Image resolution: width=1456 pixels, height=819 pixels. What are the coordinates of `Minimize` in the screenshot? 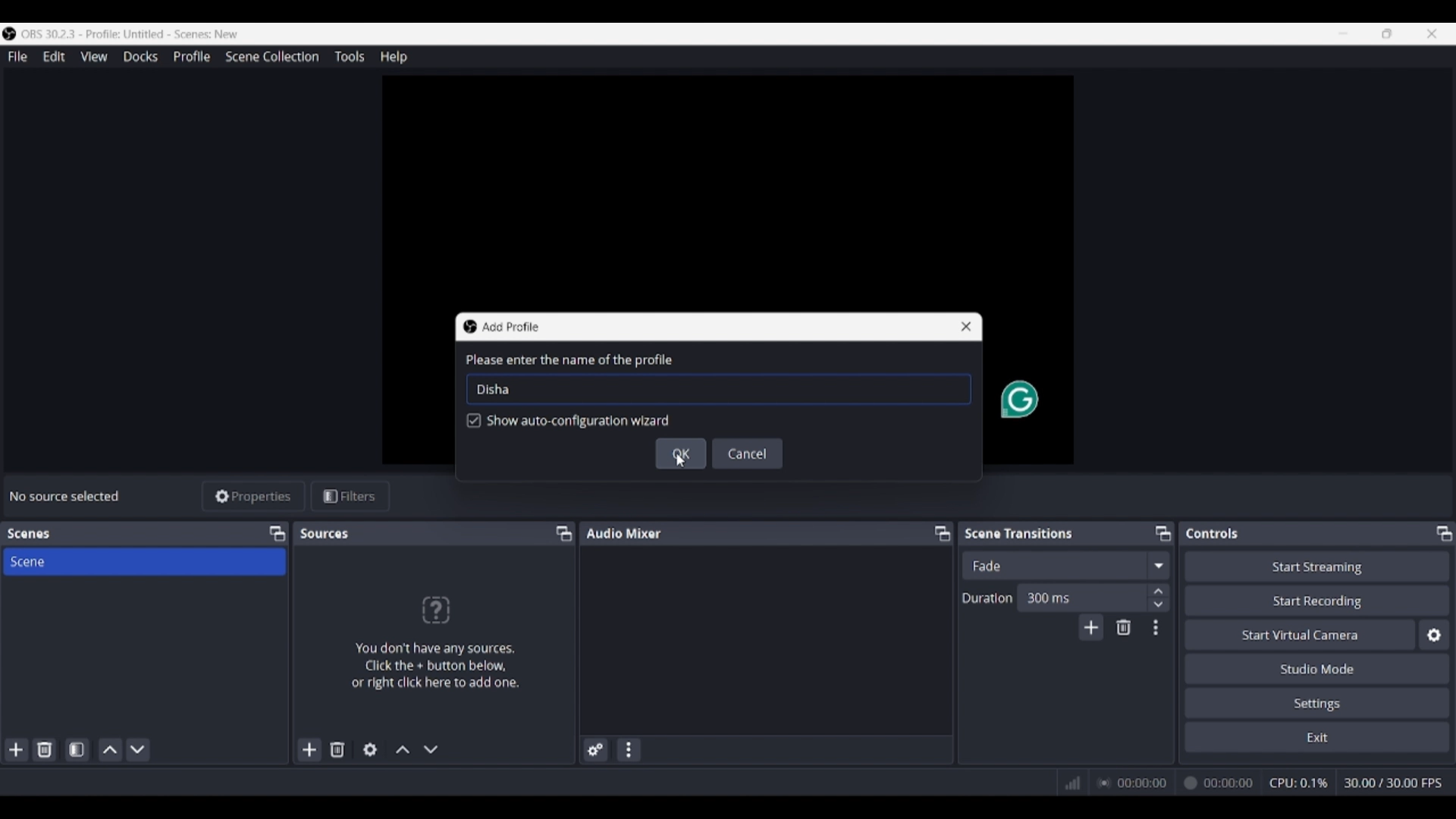 It's located at (1343, 33).